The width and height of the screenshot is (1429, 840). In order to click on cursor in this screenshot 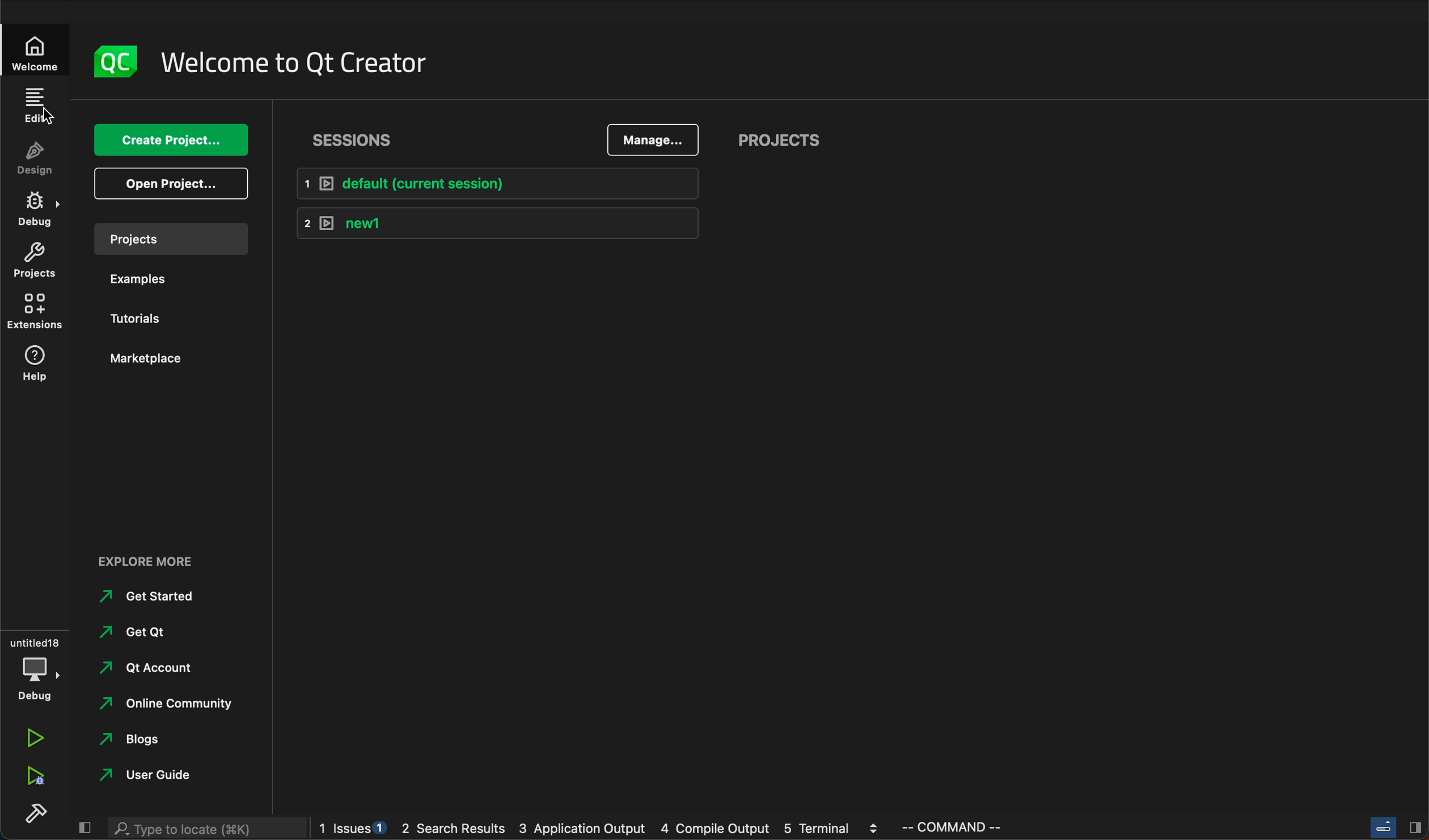, I will do `click(45, 115)`.